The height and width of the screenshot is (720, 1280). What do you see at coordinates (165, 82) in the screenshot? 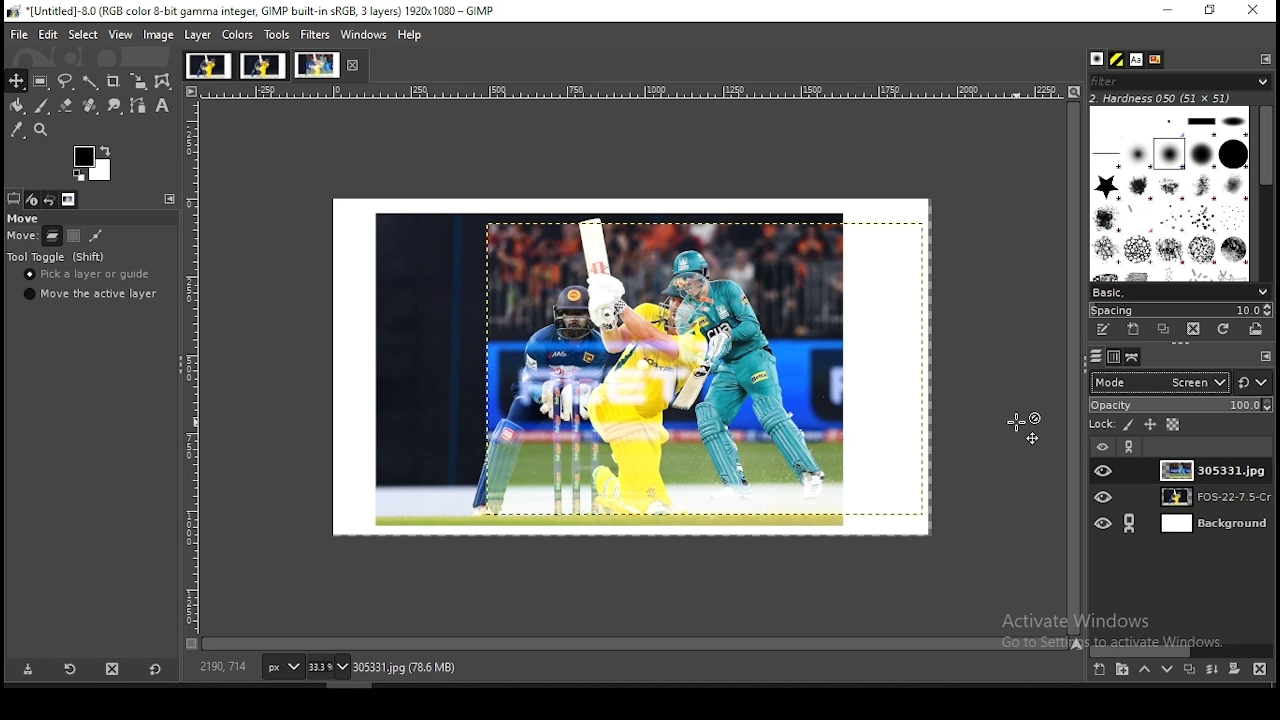
I see `cage transform tool` at bounding box center [165, 82].